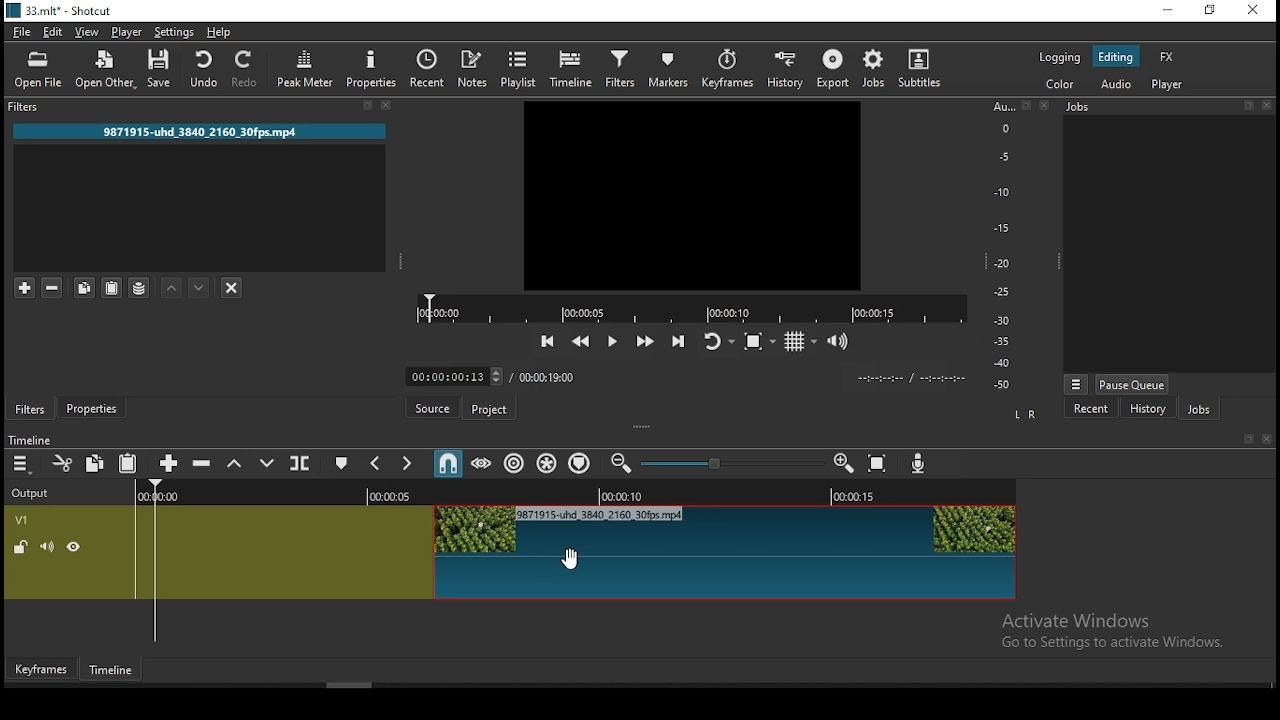 This screenshot has width=1280, height=720. Describe the element at coordinates (1044, 107) in the screenshot. I see `close` at that location.